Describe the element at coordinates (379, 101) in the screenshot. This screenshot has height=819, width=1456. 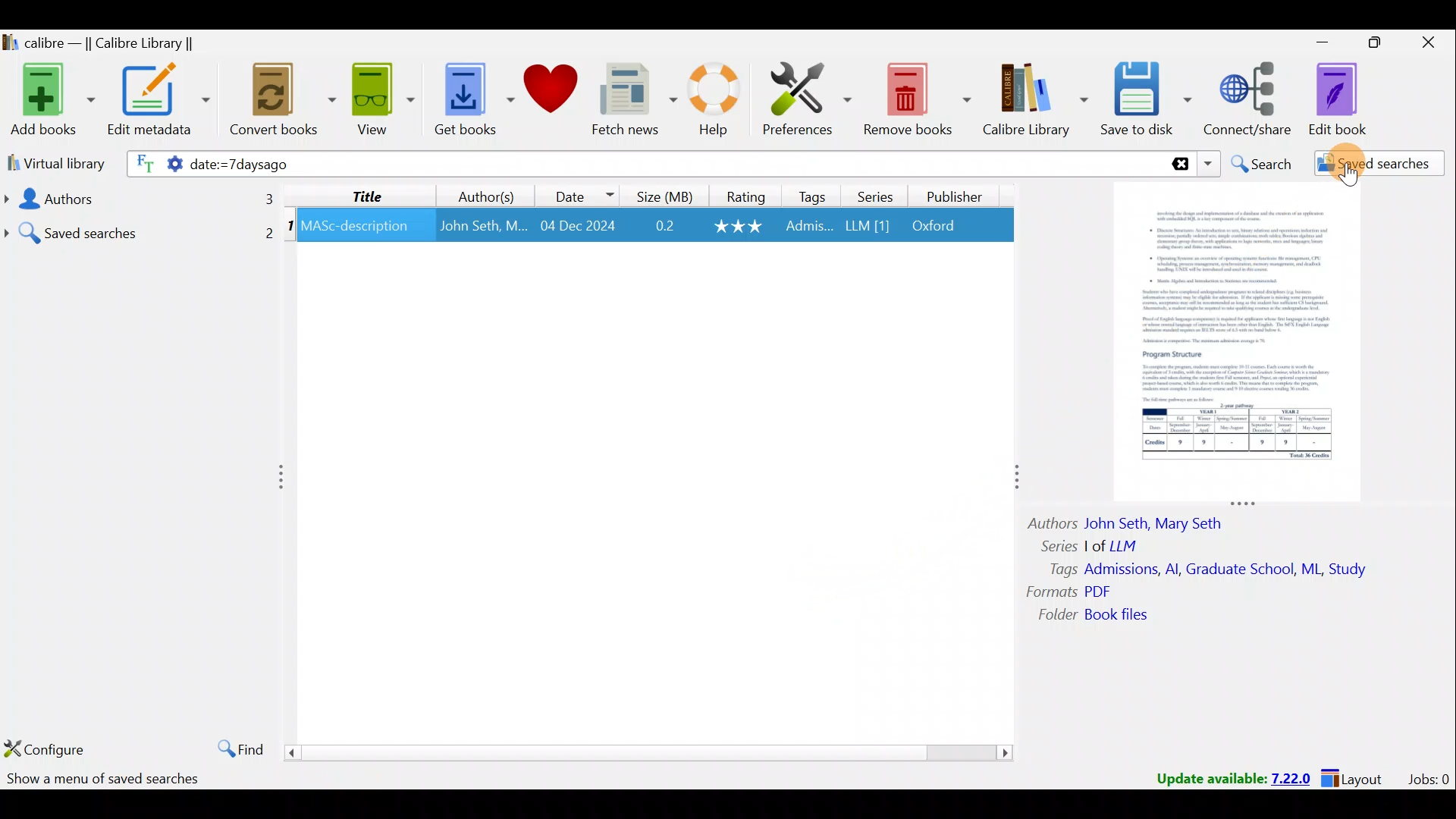
I see `View` at that location.